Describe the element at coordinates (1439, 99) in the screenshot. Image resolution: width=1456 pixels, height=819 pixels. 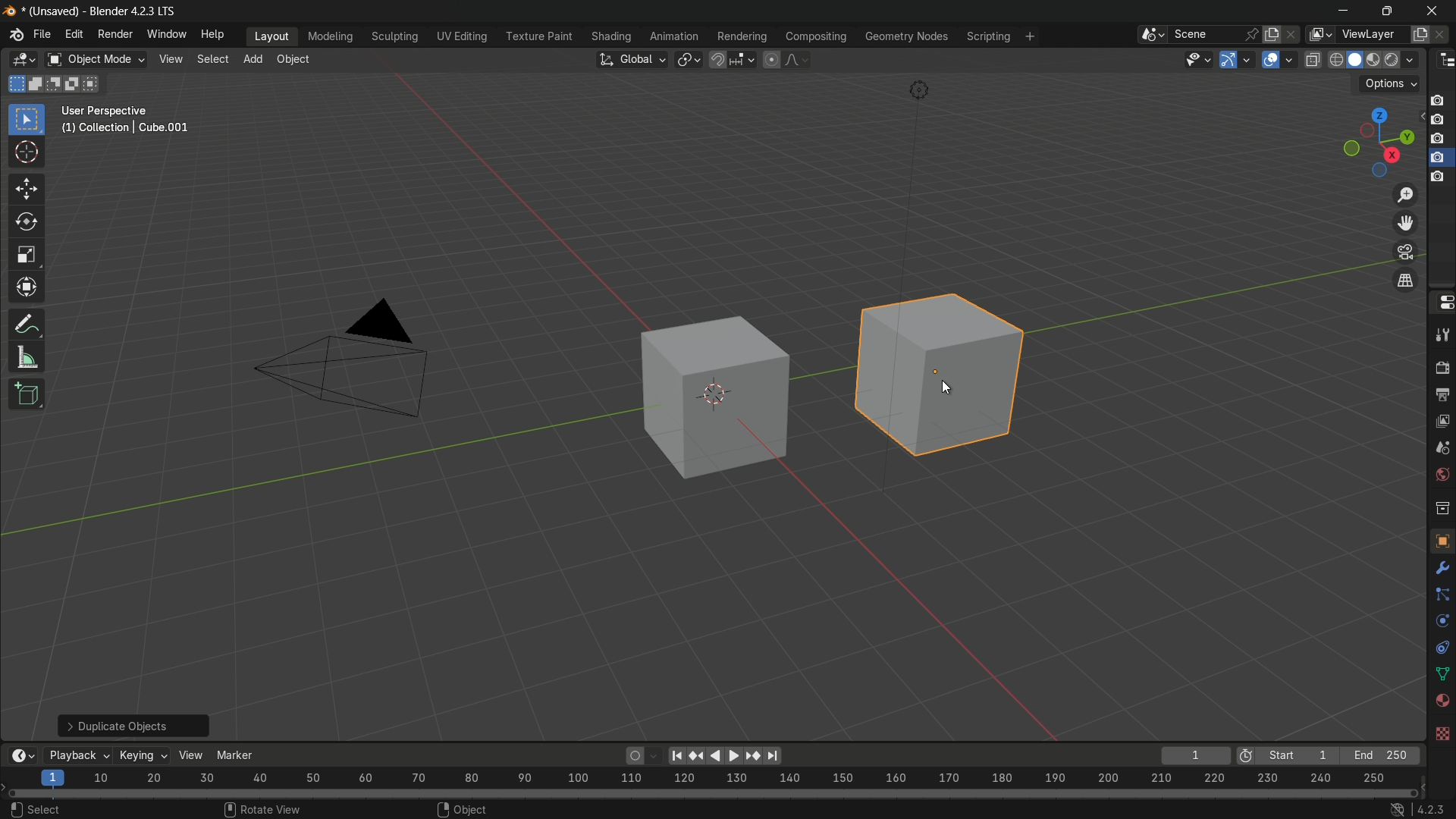
I see `Icon1 ` at that location.